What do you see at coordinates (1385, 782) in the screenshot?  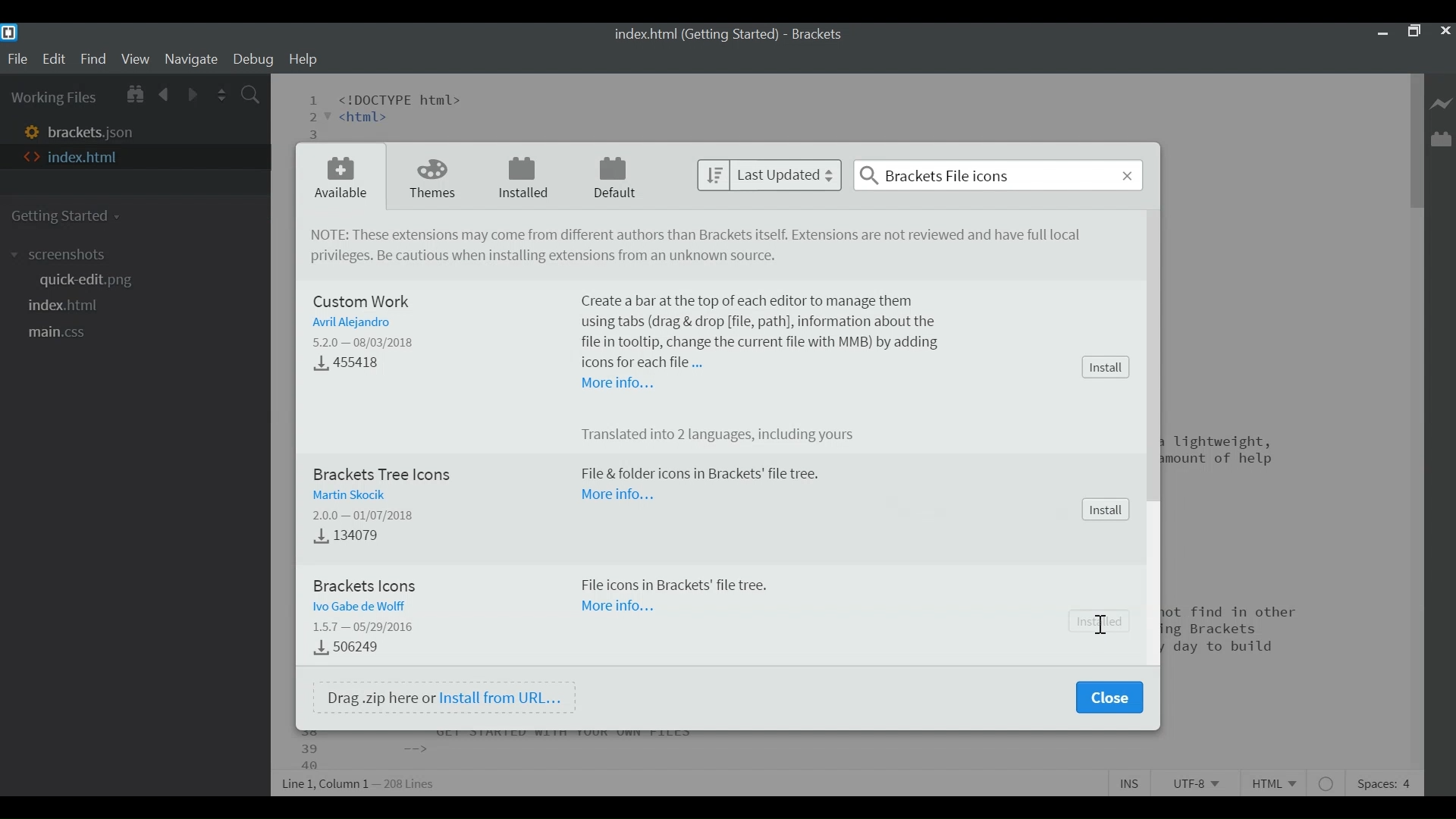 I see `Spaces` at bounding box center [1385, 782].